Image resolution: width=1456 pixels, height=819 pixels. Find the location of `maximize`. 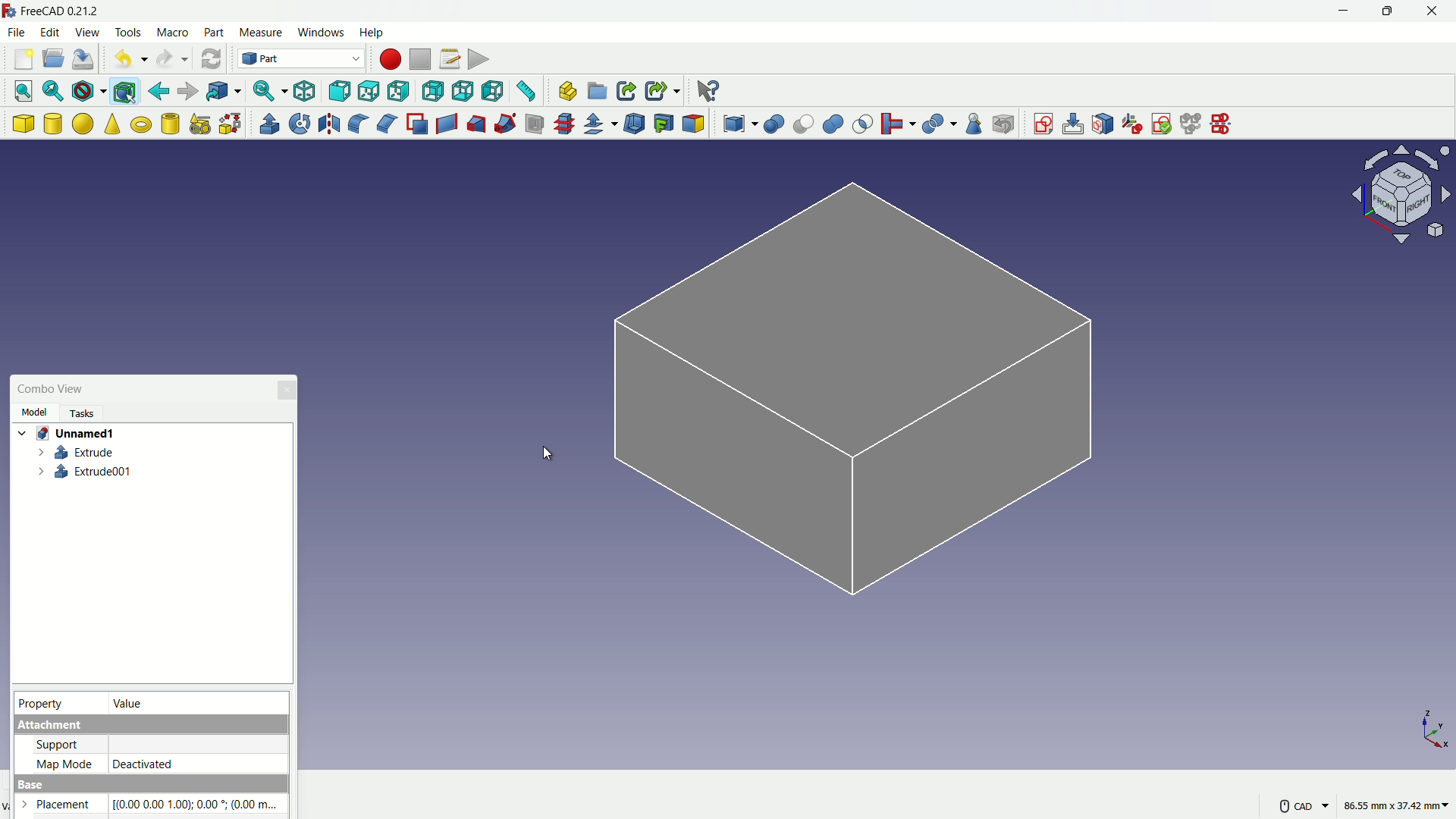

maximize is located at coordinates (1391, 12).